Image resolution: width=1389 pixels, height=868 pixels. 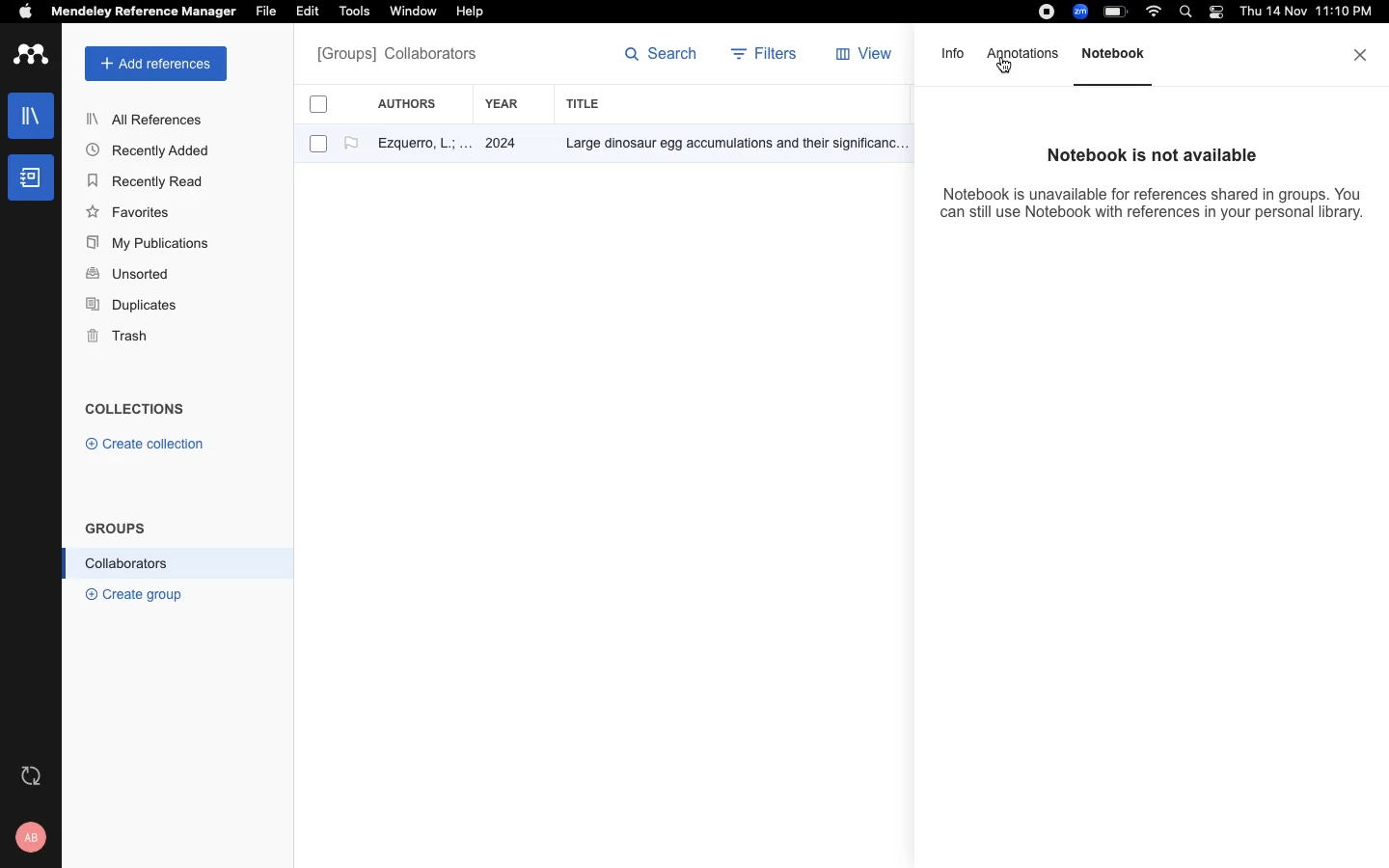 I want to click on Recently Added, so click(x=153, y=149).